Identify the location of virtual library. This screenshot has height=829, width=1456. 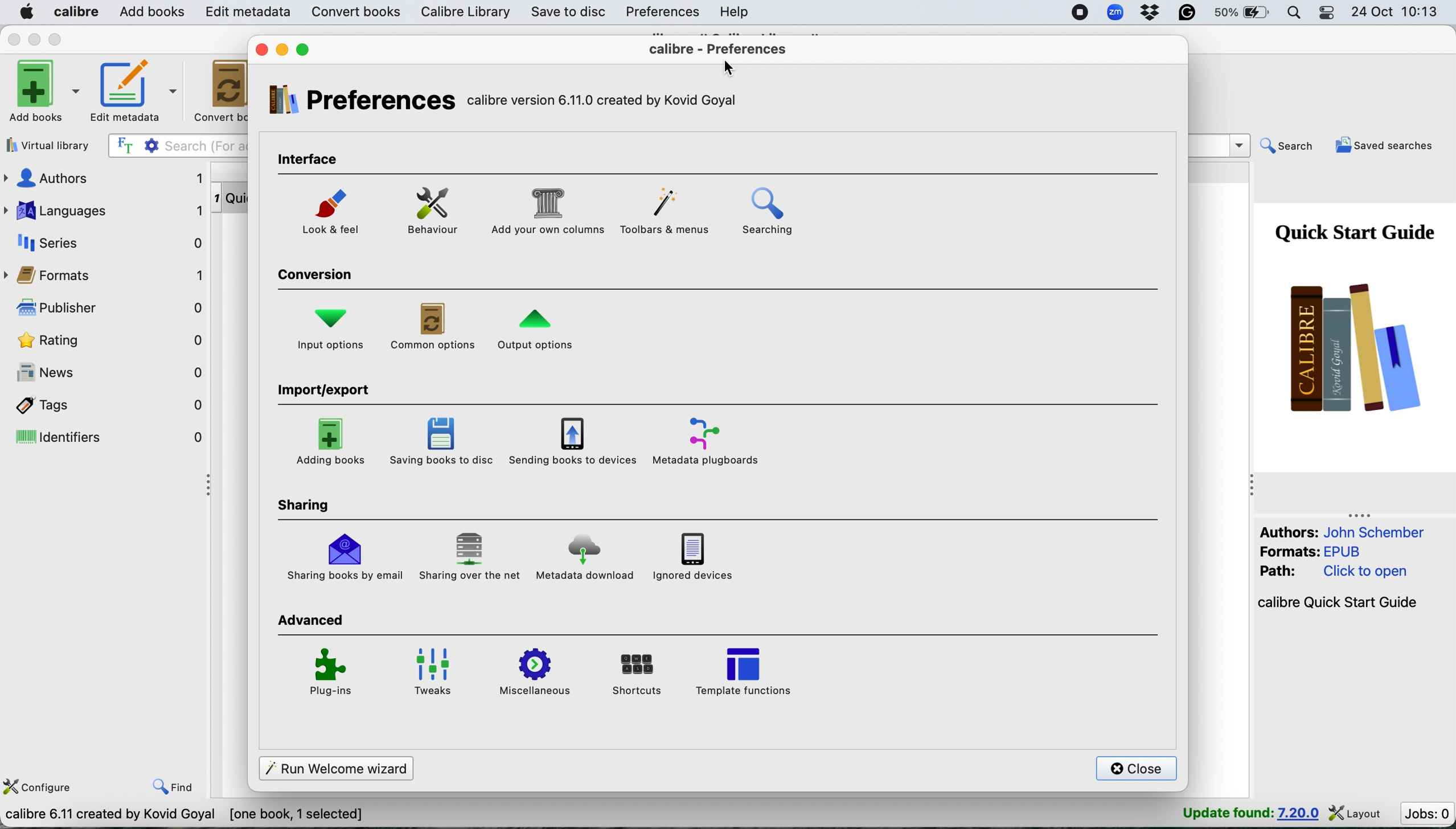
(51, 146).